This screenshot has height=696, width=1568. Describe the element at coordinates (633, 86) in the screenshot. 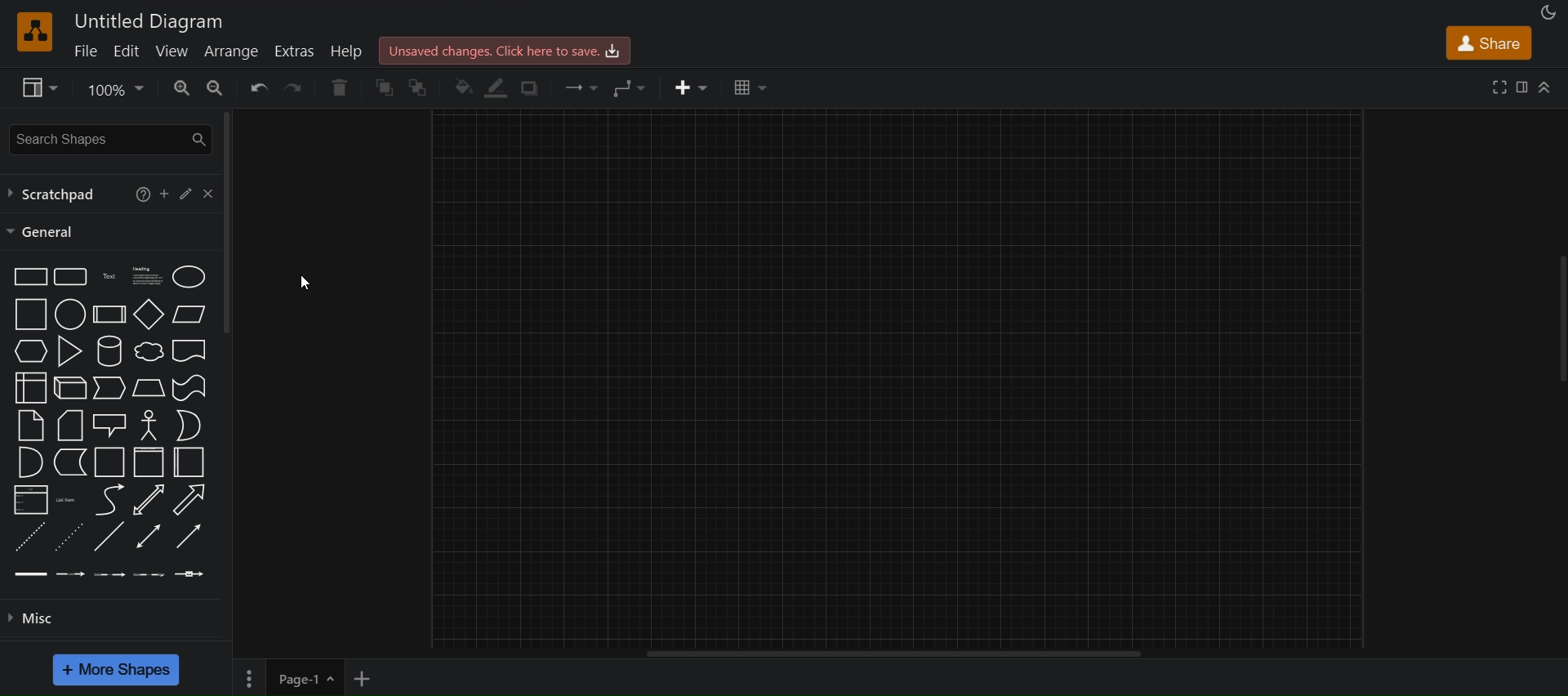

I see `waypoints` at that location.